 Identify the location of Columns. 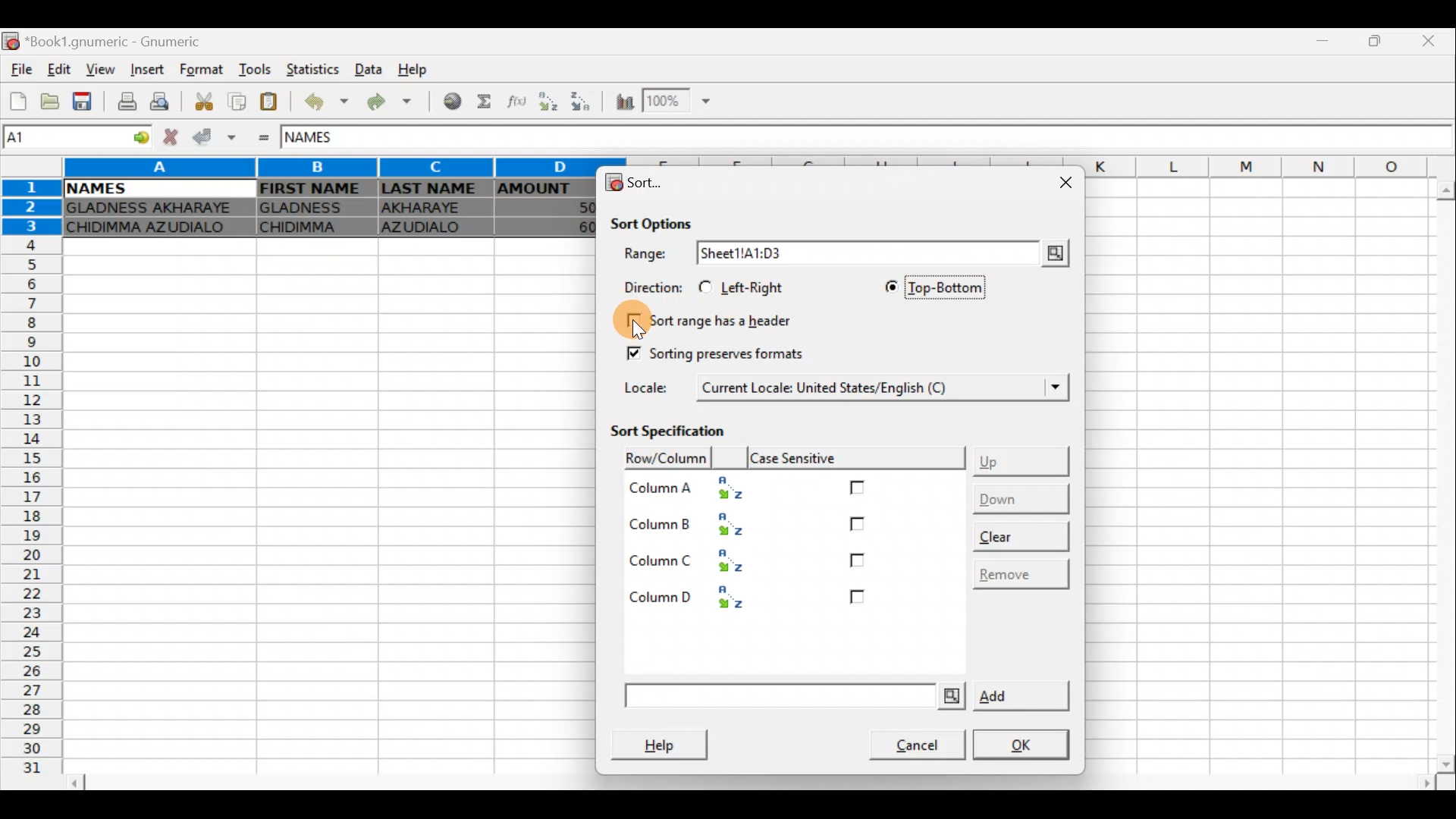
(323, 168).